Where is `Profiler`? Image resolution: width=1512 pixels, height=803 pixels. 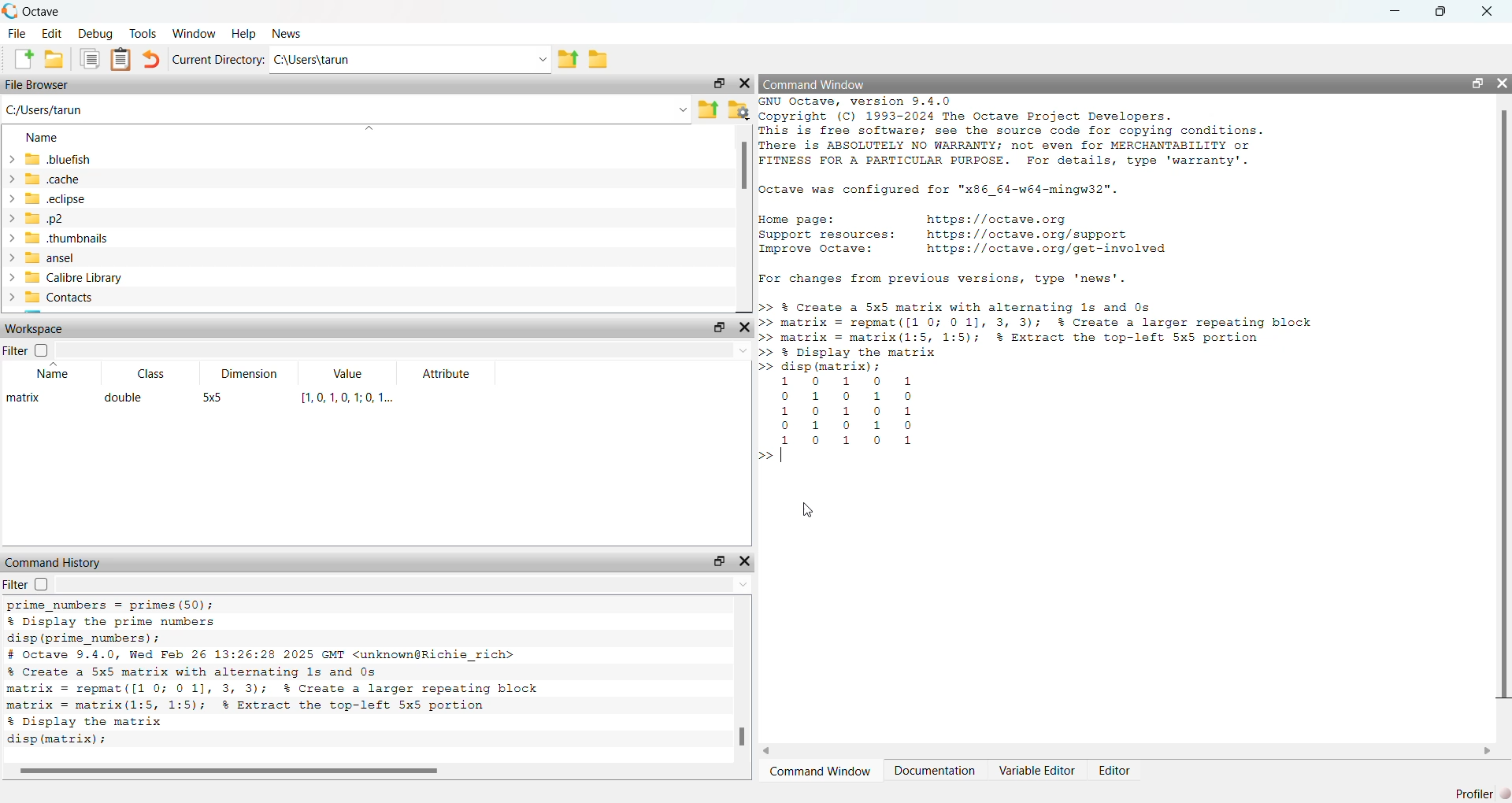 Profiler is located at coordinates (1483, 794).